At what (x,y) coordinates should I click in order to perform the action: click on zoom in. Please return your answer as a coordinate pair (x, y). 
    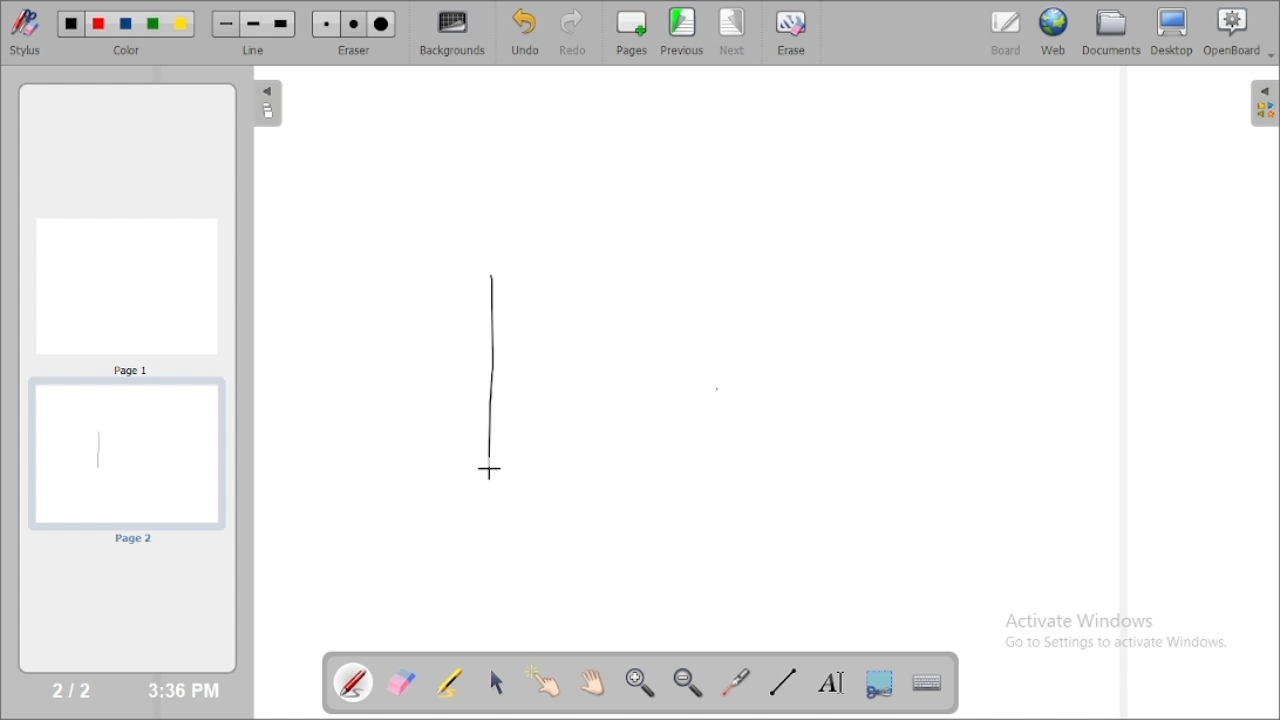
    Looking at the image, I should click on (639, 683).